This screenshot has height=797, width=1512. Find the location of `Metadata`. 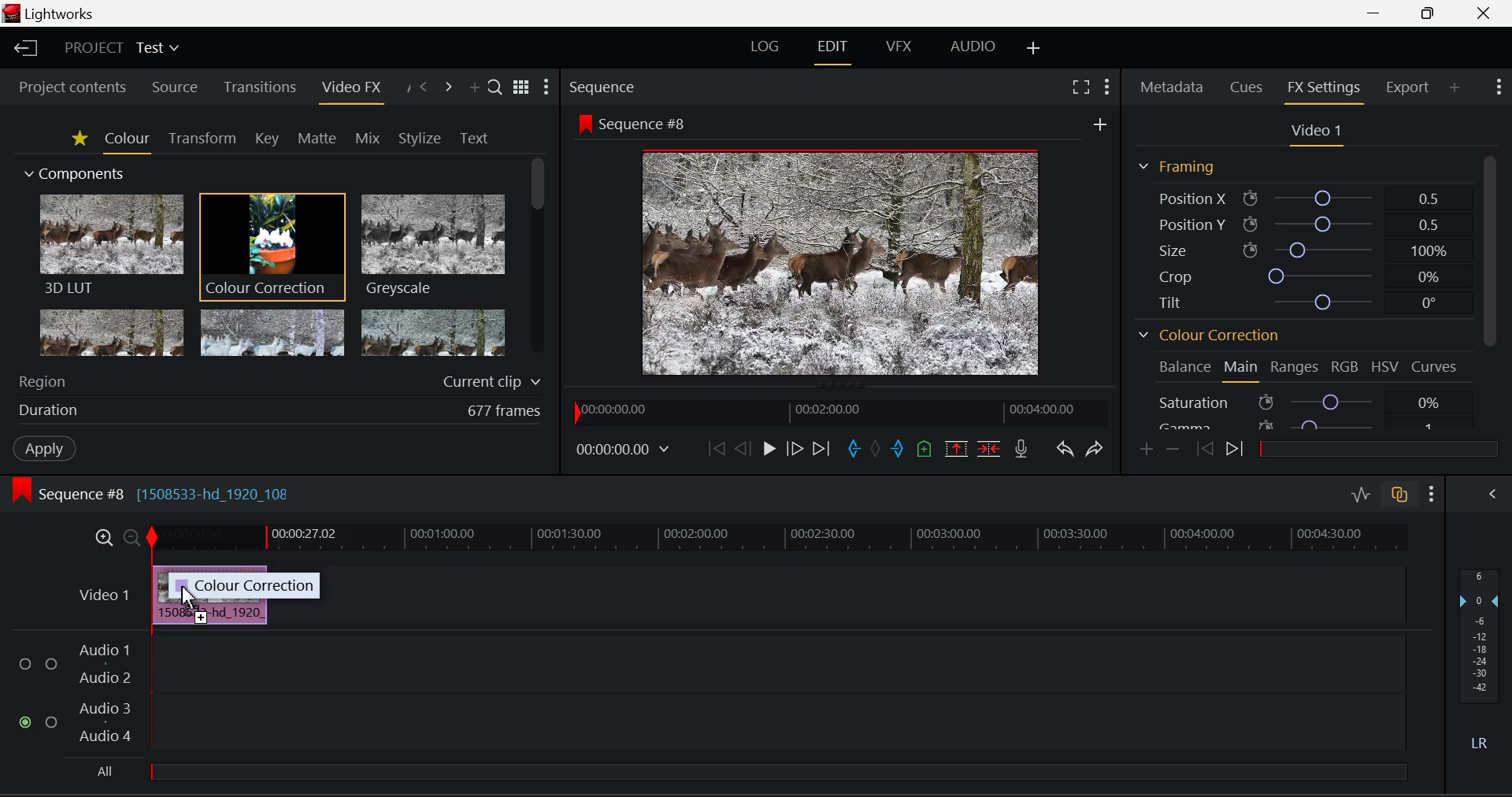

Metadata is located at coordinates (1172, 88).